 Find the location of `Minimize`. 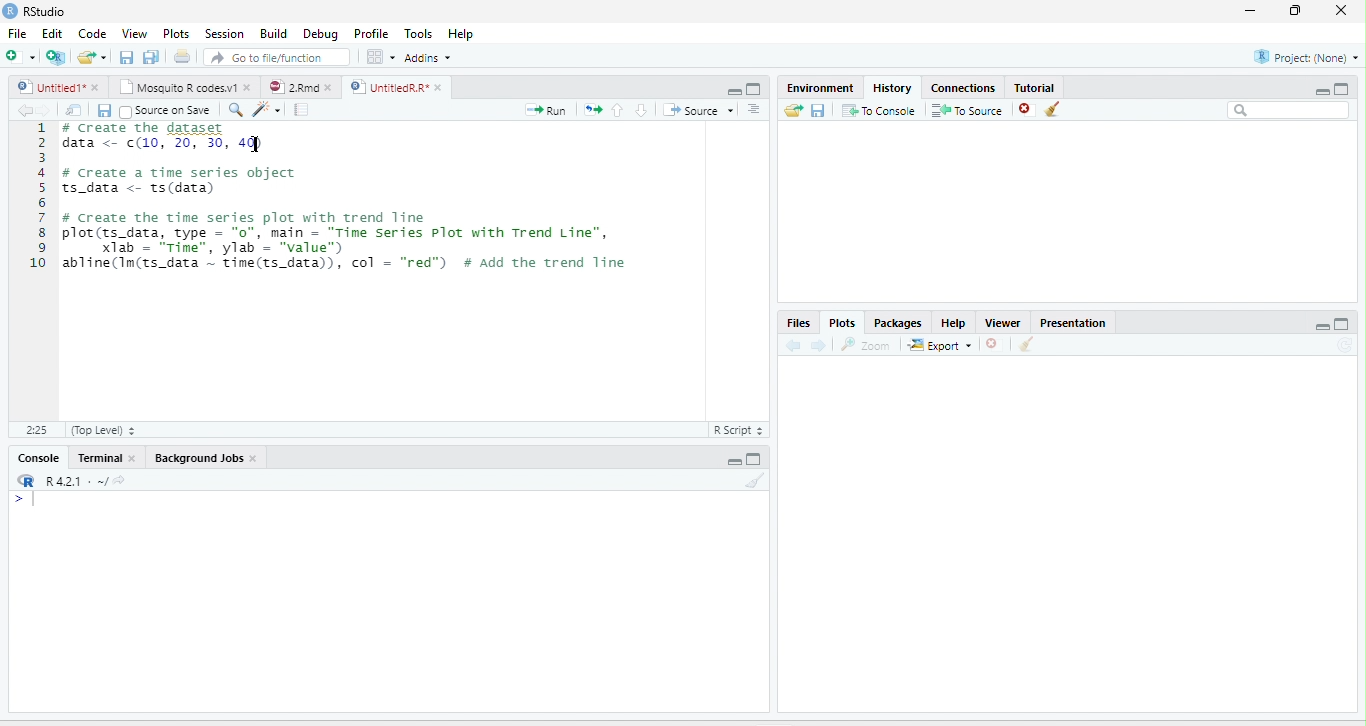

Minimize is located at coordinates (732, 462).